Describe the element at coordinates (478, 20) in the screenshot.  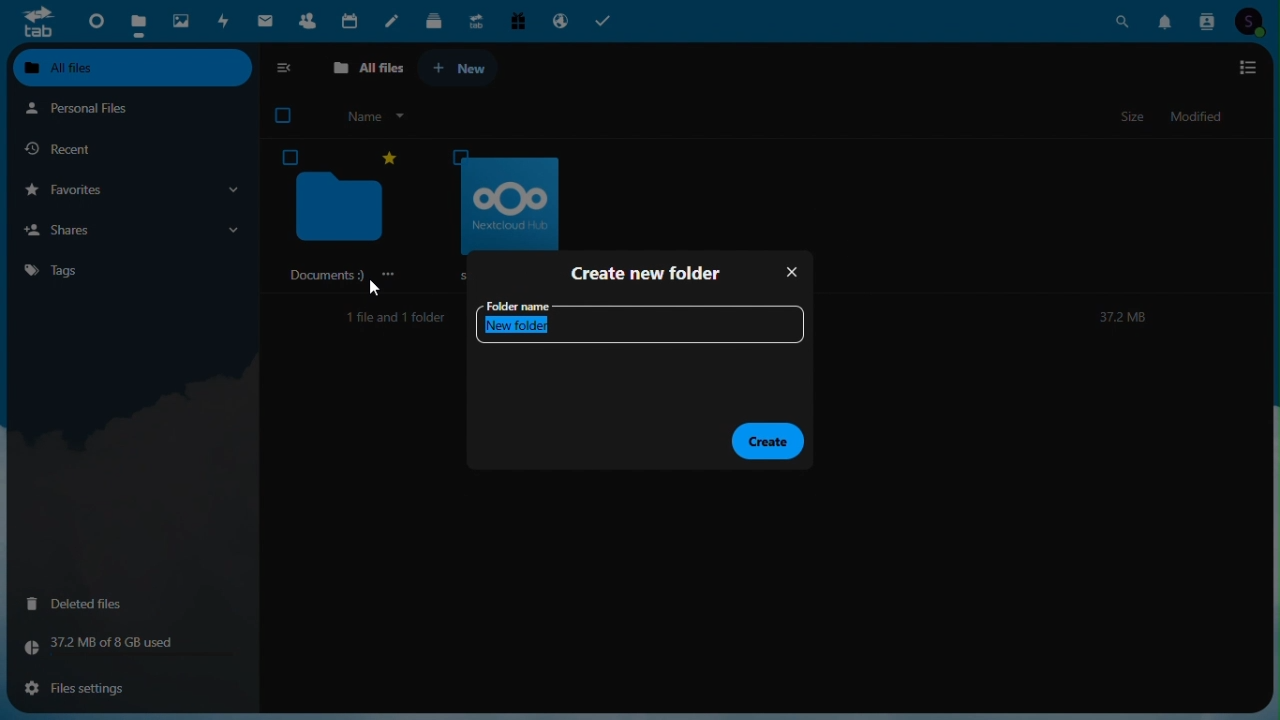
I see `Upgrade` at that location.